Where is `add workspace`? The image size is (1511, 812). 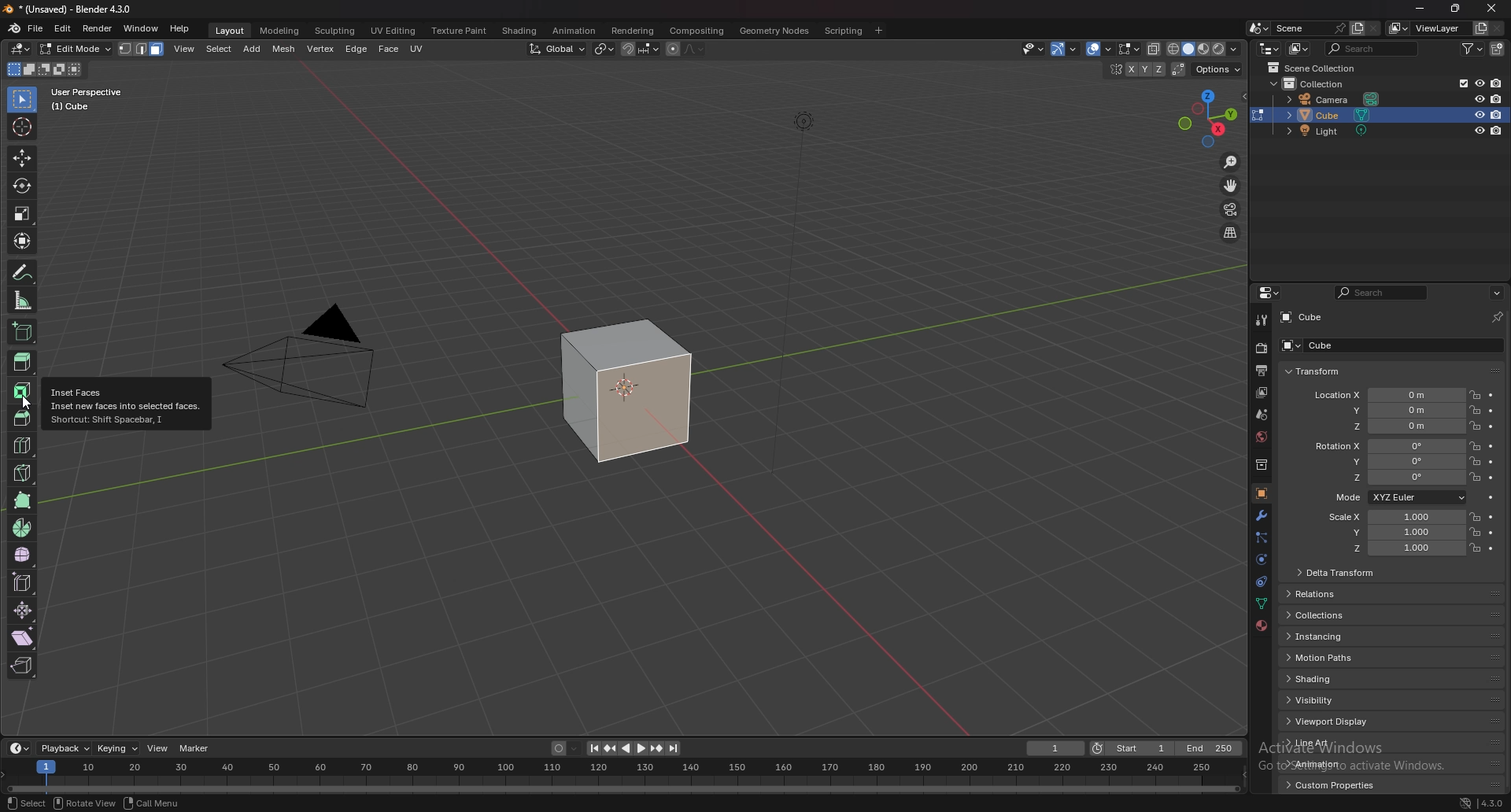
add workspace is located at coordinates (878, 31).